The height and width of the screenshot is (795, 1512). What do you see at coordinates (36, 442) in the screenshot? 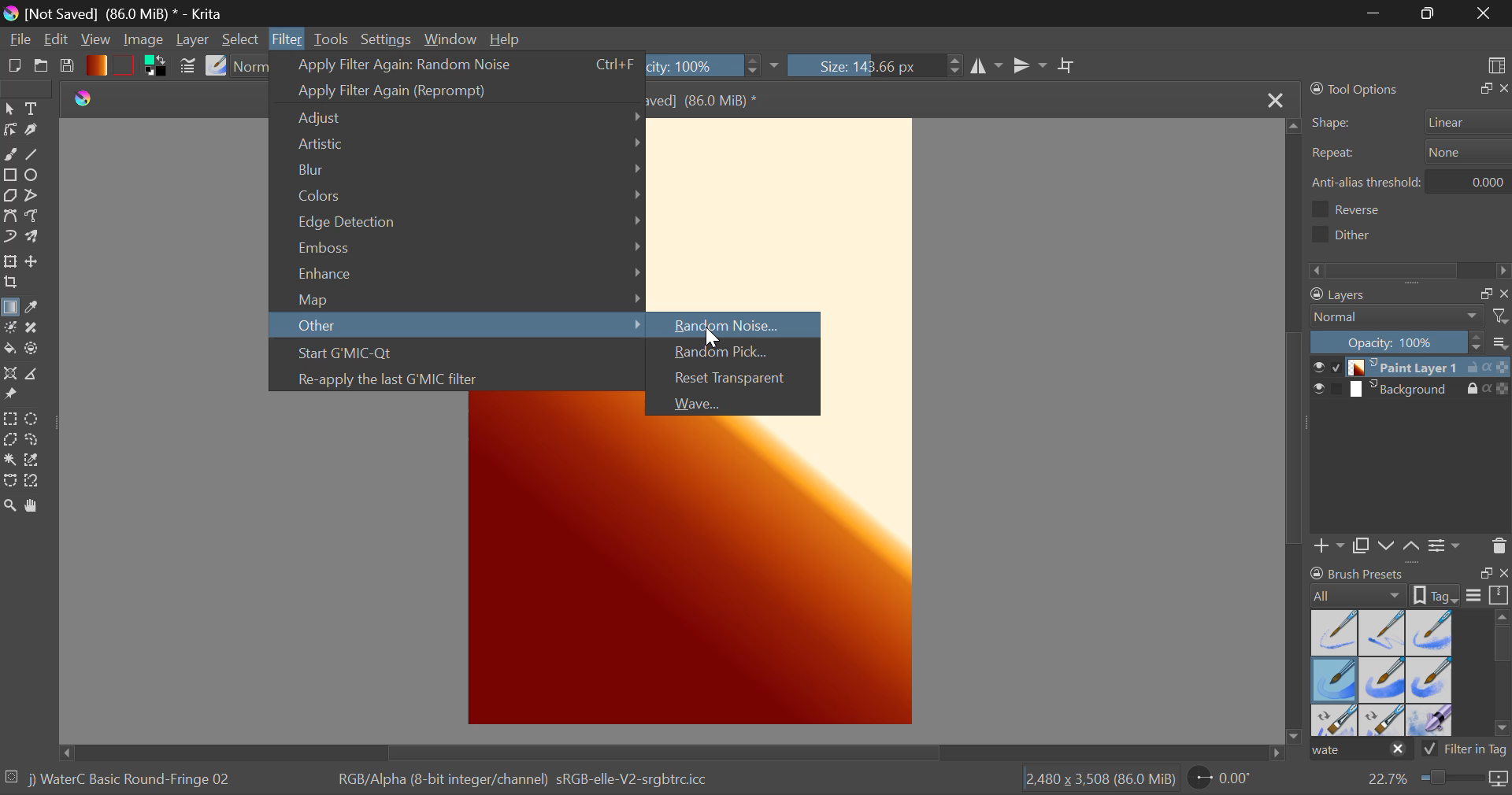
I see `Freehand Selection` at bounding box center [36, 442].